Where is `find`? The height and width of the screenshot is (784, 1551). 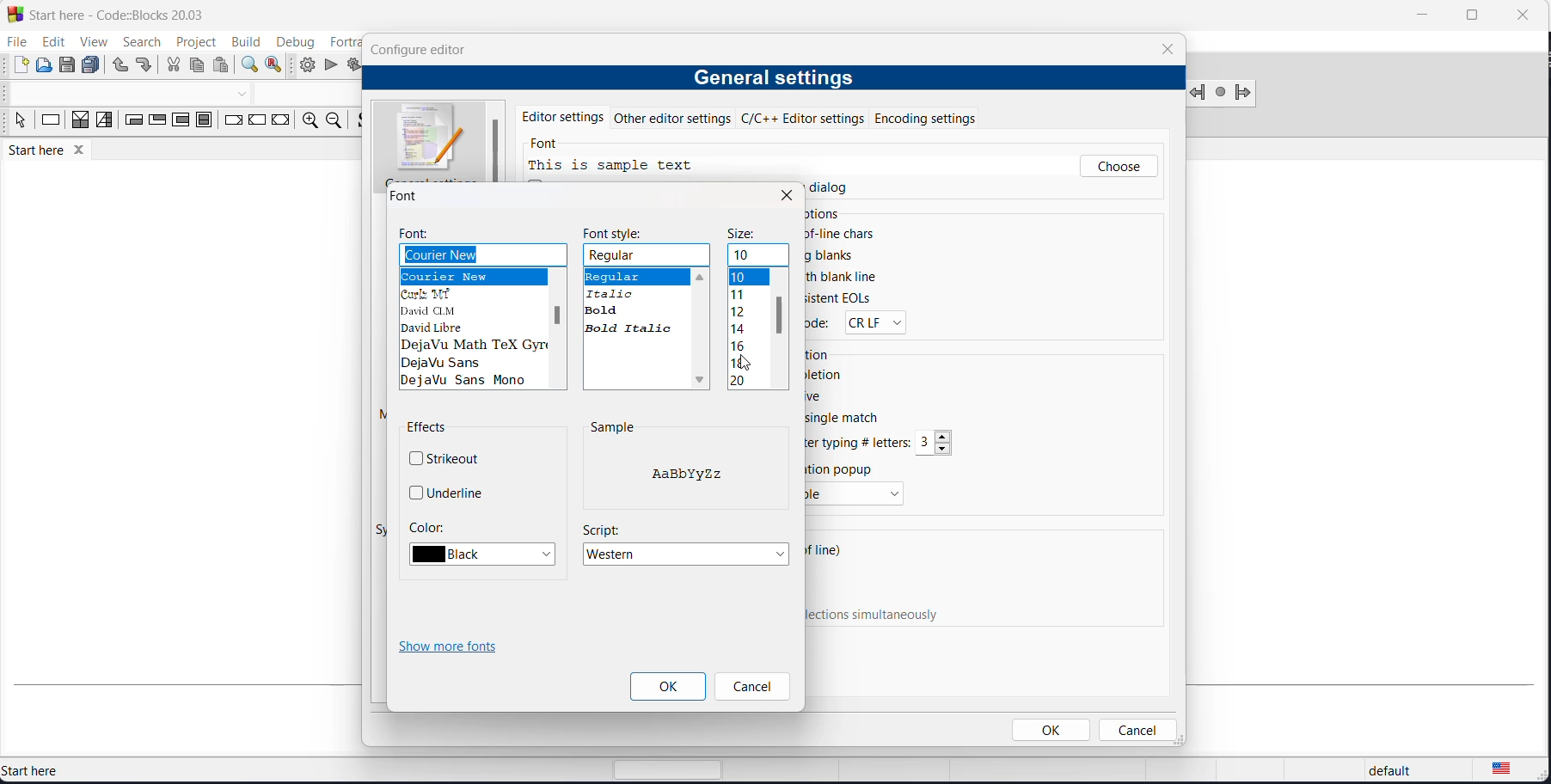 find is located at coordinates (248, 65).